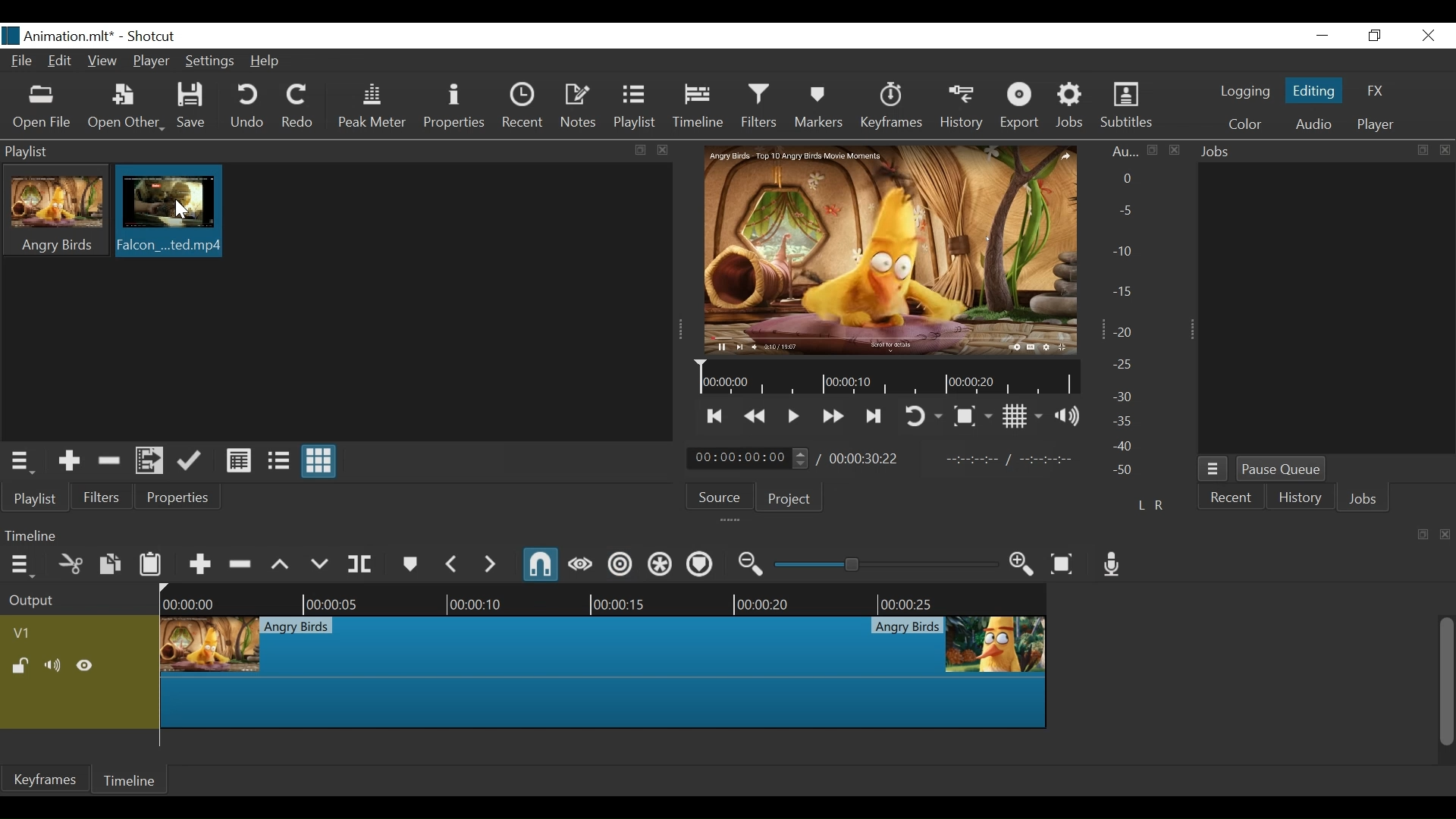 The height and width of the screenshot is (819, 1456). What do you see at coordinates (21, 666) in the screenshot?
I see `(un)lock track` at bounding box center [21, 666].